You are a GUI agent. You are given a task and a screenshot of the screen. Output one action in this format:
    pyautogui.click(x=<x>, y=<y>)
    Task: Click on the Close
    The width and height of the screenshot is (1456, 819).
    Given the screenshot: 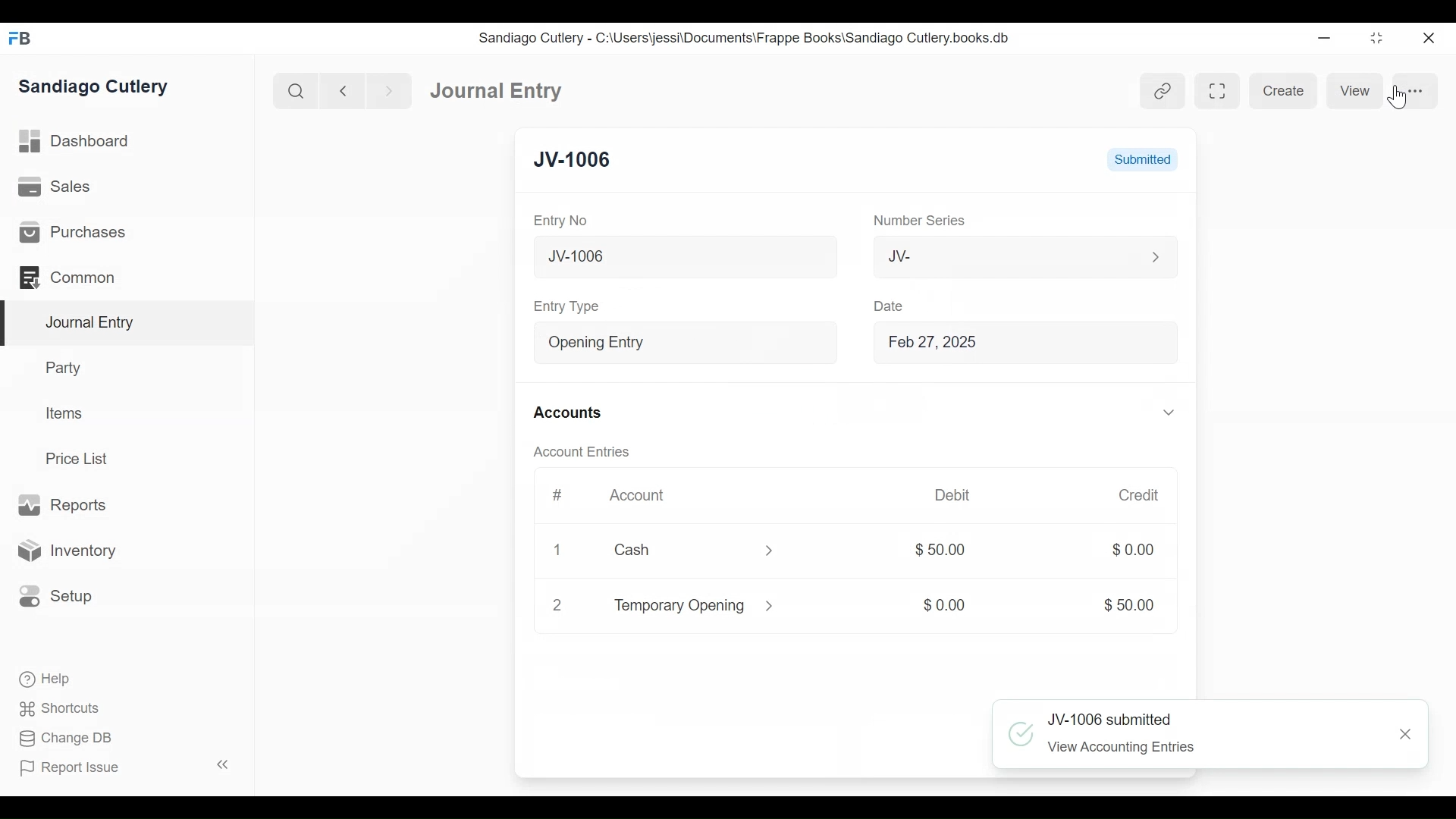 What is the action you would take?
    pyautogui.click(x=1427, y=38)
    